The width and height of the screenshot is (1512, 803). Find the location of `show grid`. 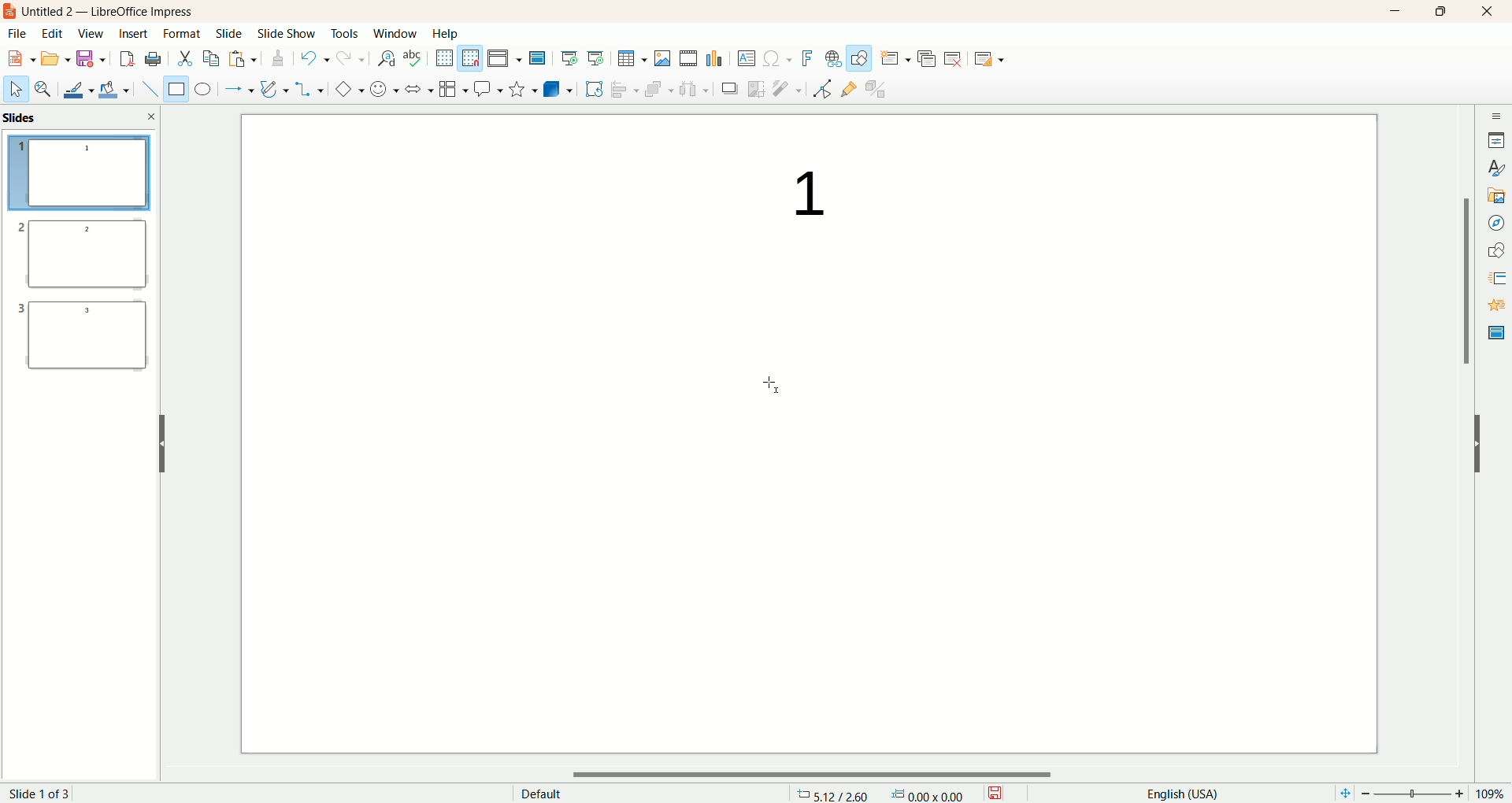

show grid is located at coordinates (443, 57).